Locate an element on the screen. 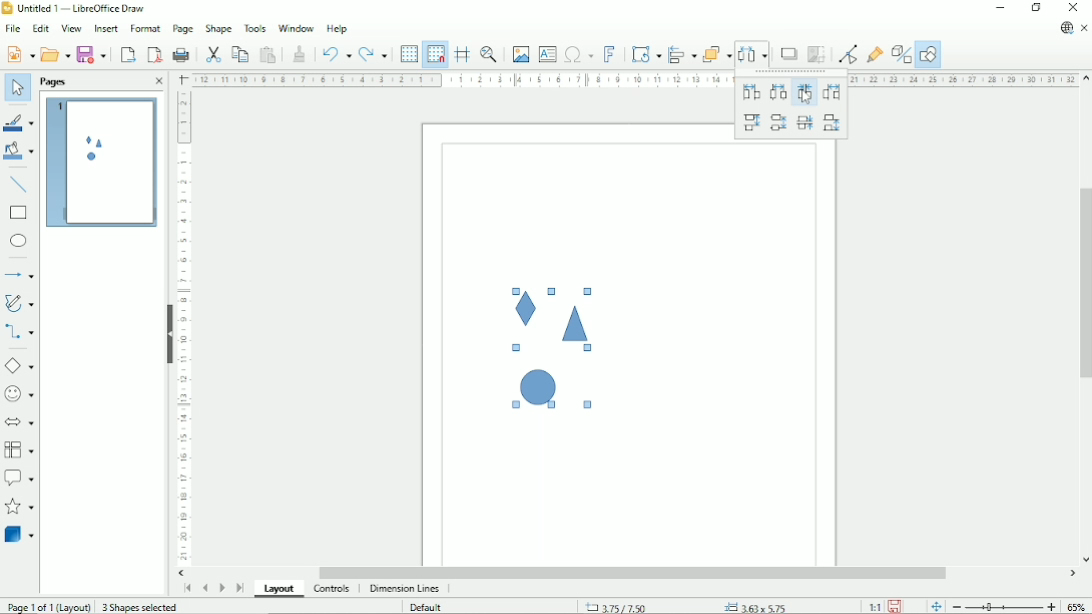  Redo is located at coordinates (374, 53).